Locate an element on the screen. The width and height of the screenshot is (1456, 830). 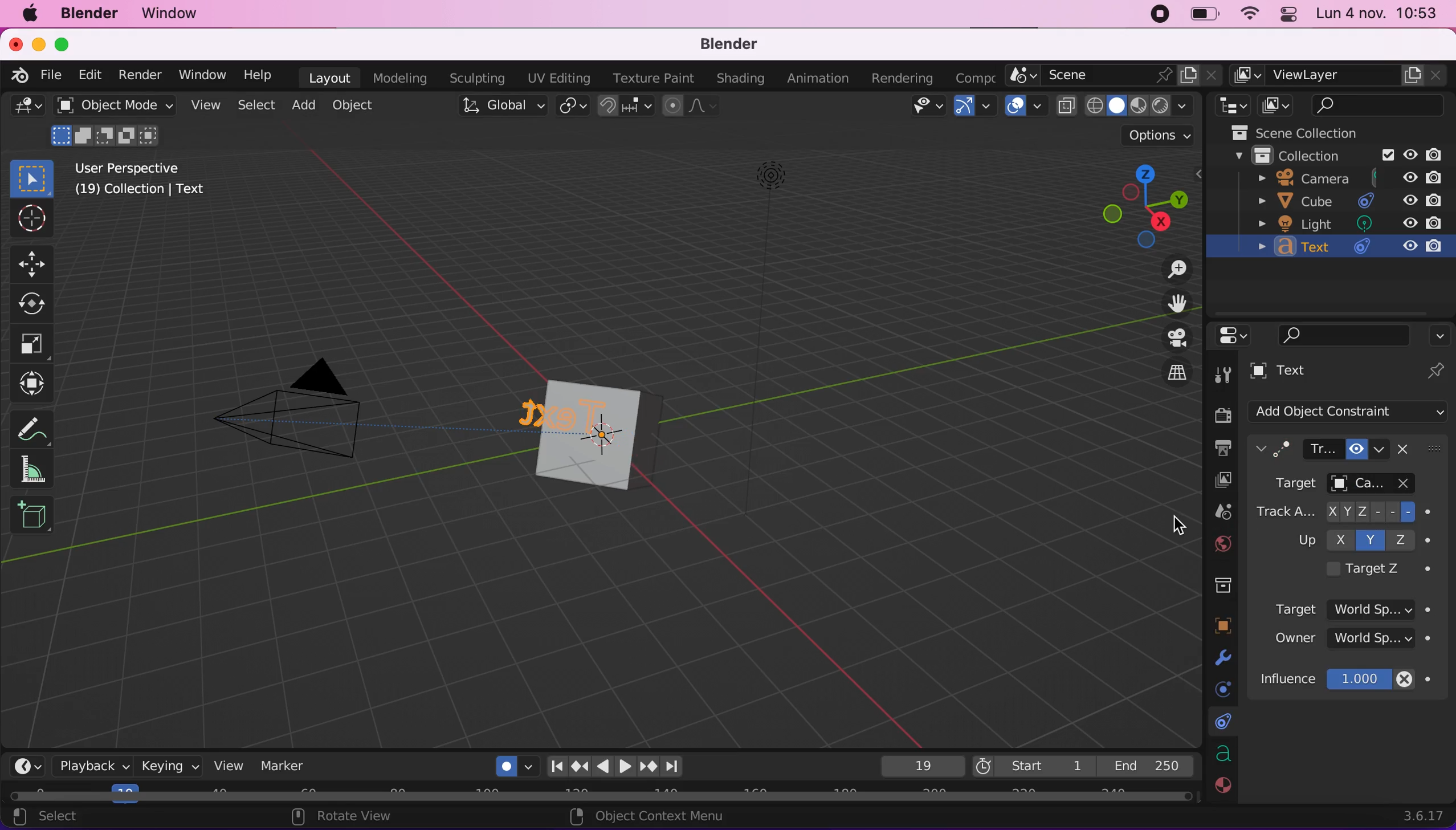
blender is located at coordinates (730, 44).